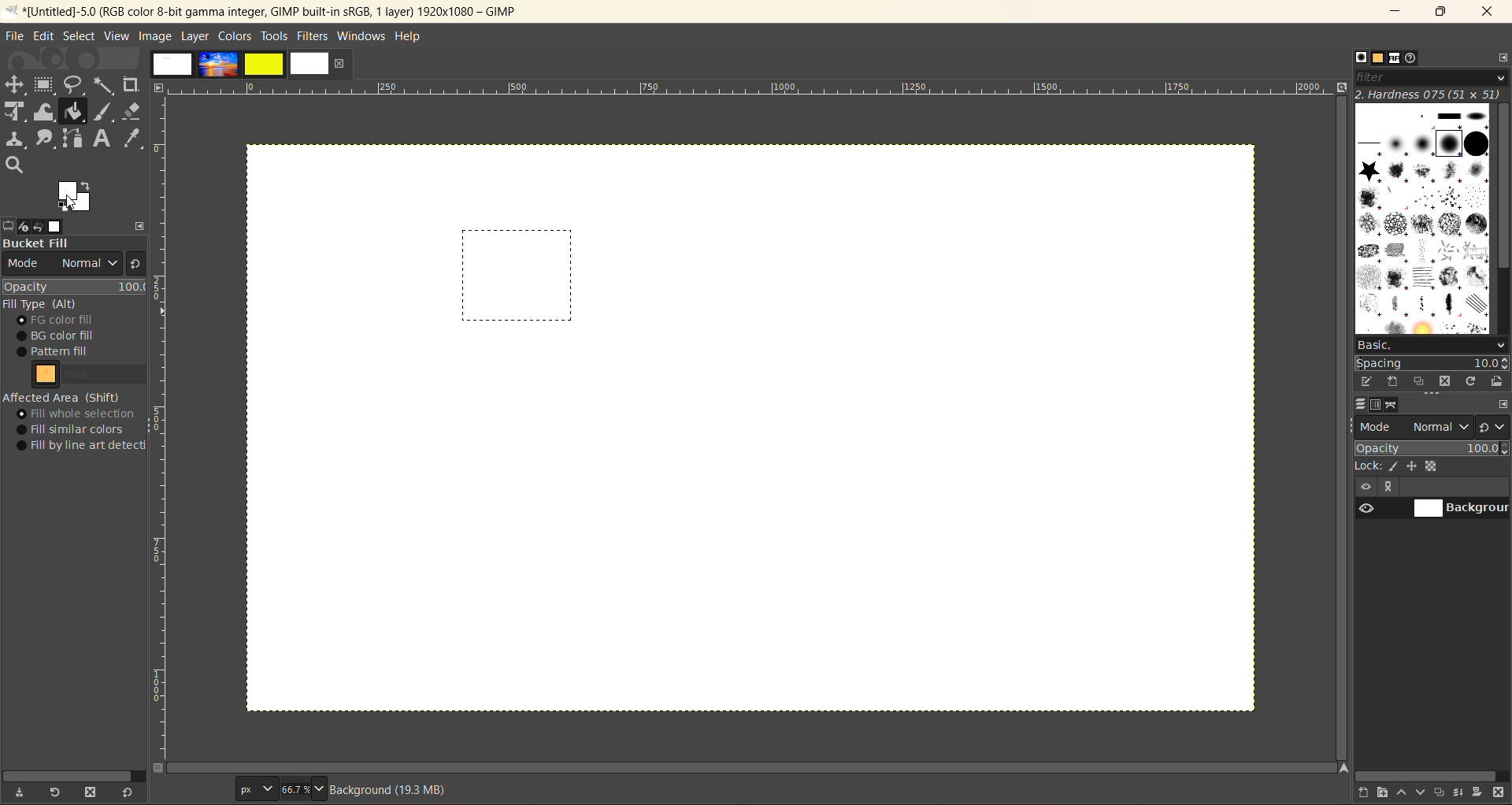  I want to click on opacity, so click(75, 288).